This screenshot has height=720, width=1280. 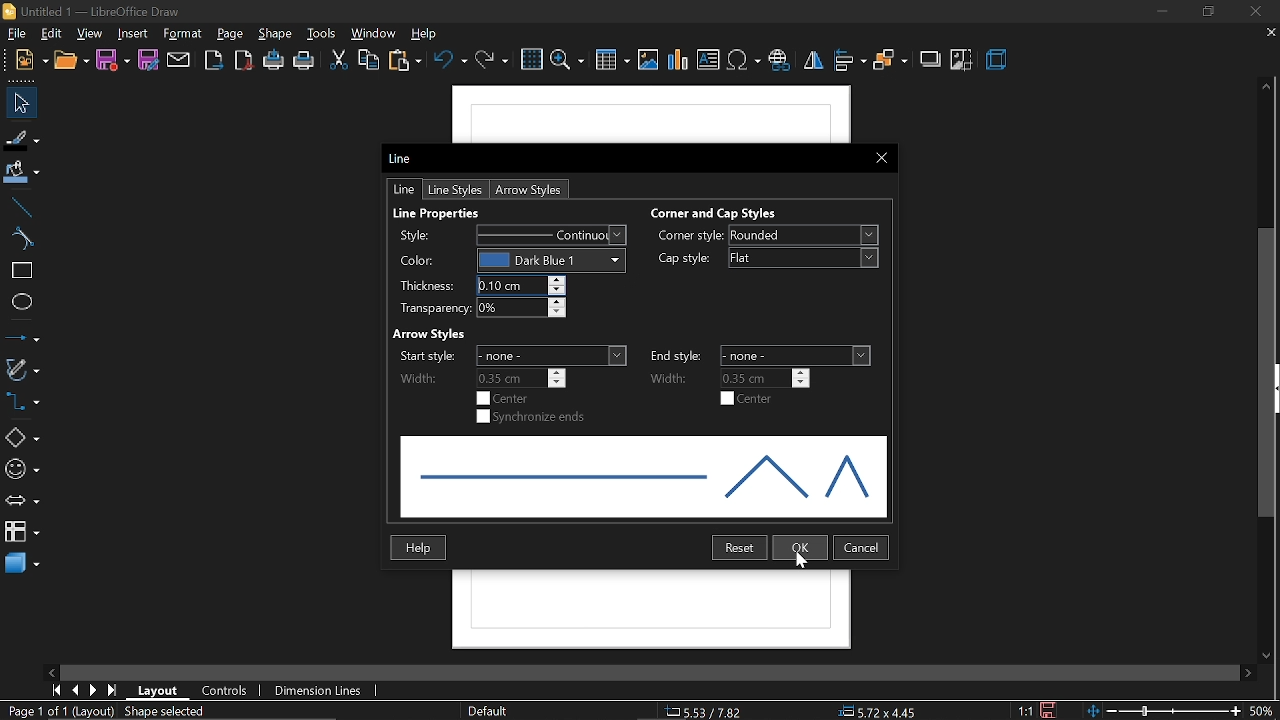 What do you see at coordinates (59, 712) in the screenshot?
I see `current page` at bounding box center [59, 712].